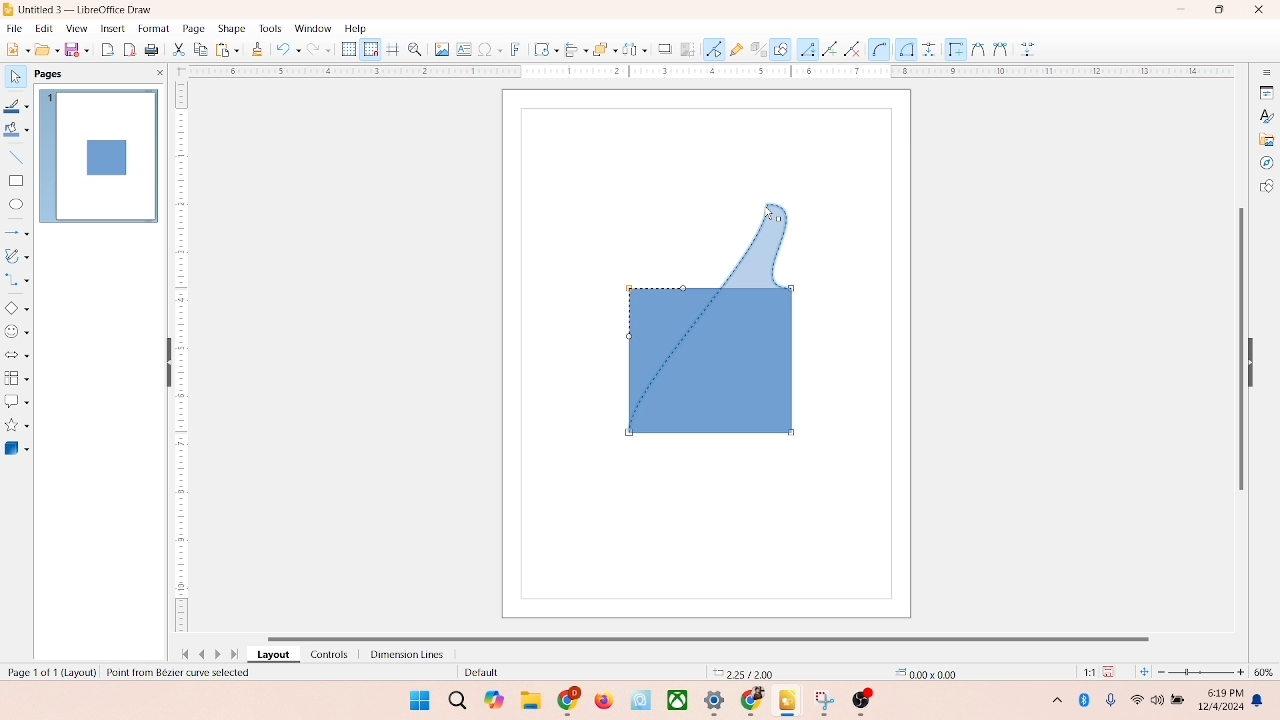  I want to click on folders, so click(530, 698).